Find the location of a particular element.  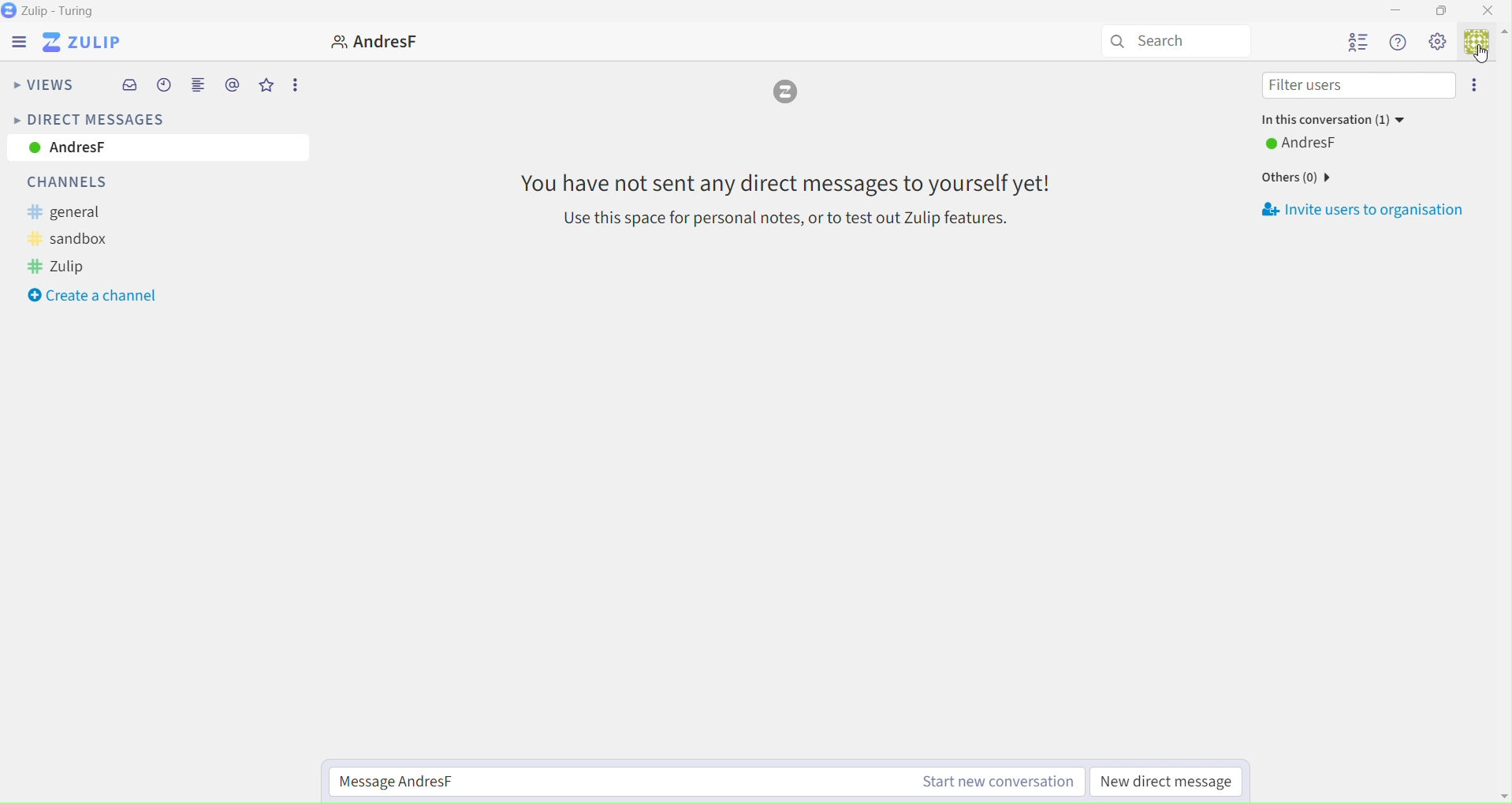

Users is located at coordinates (1358, 43).